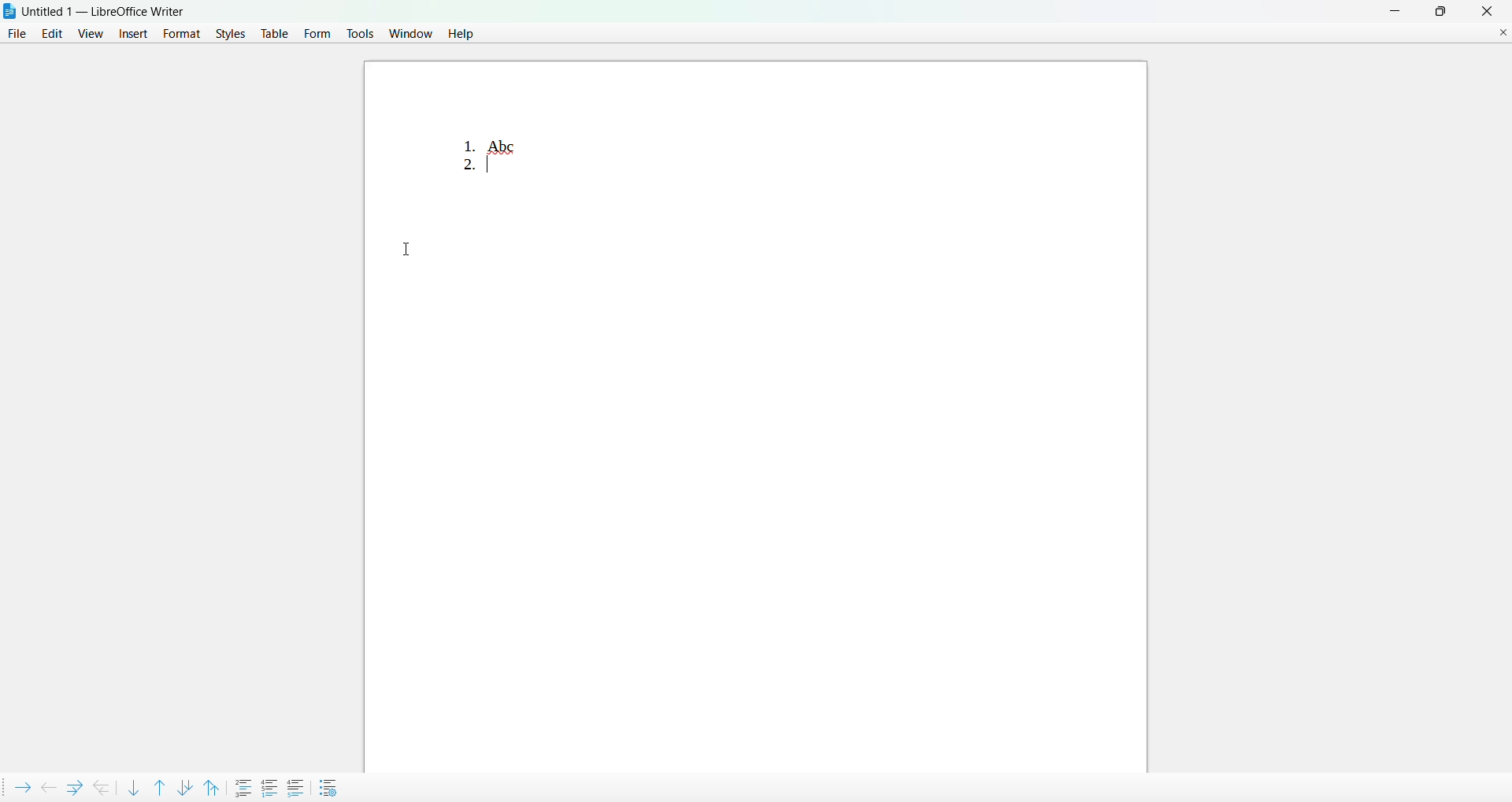 The image size is (1512, 802). What do you see at coordinates (419, 247) in the screenshot?
I see `cursor` at bounding box center [419, 247].